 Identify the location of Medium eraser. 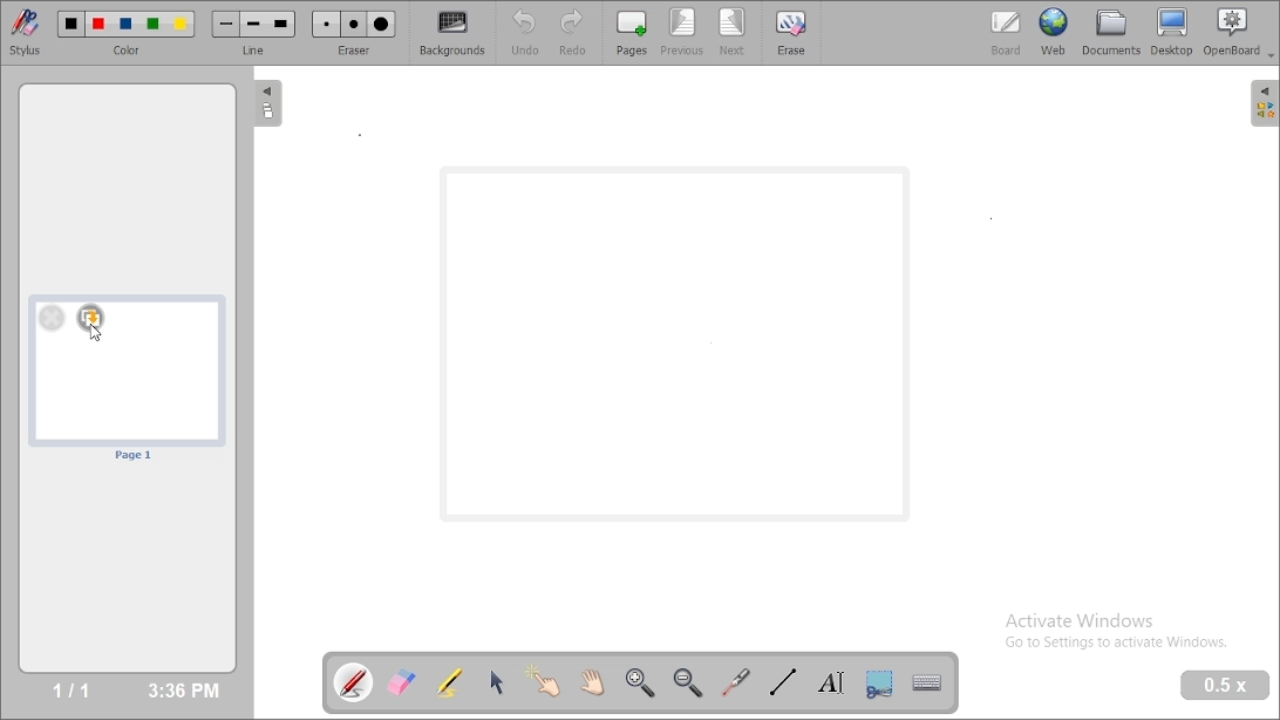
(354, 25).